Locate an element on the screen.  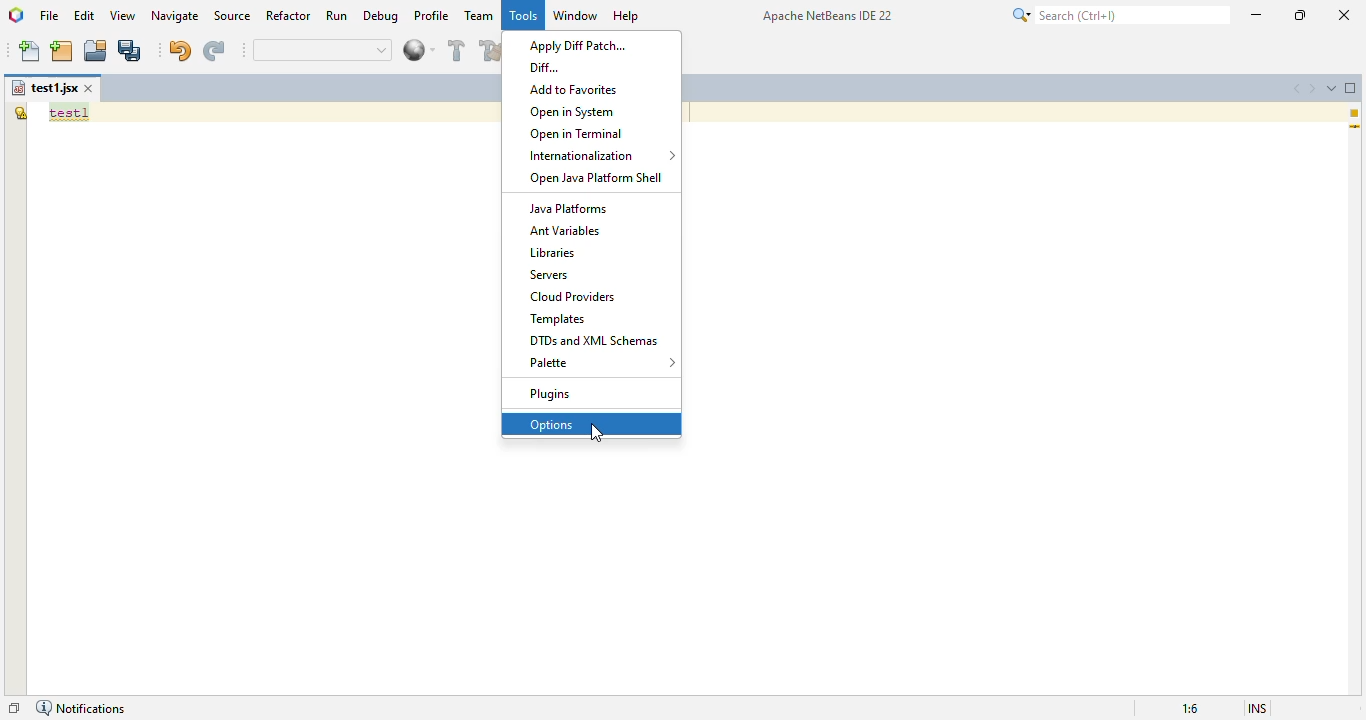
source is located at coordinates (233, 16).